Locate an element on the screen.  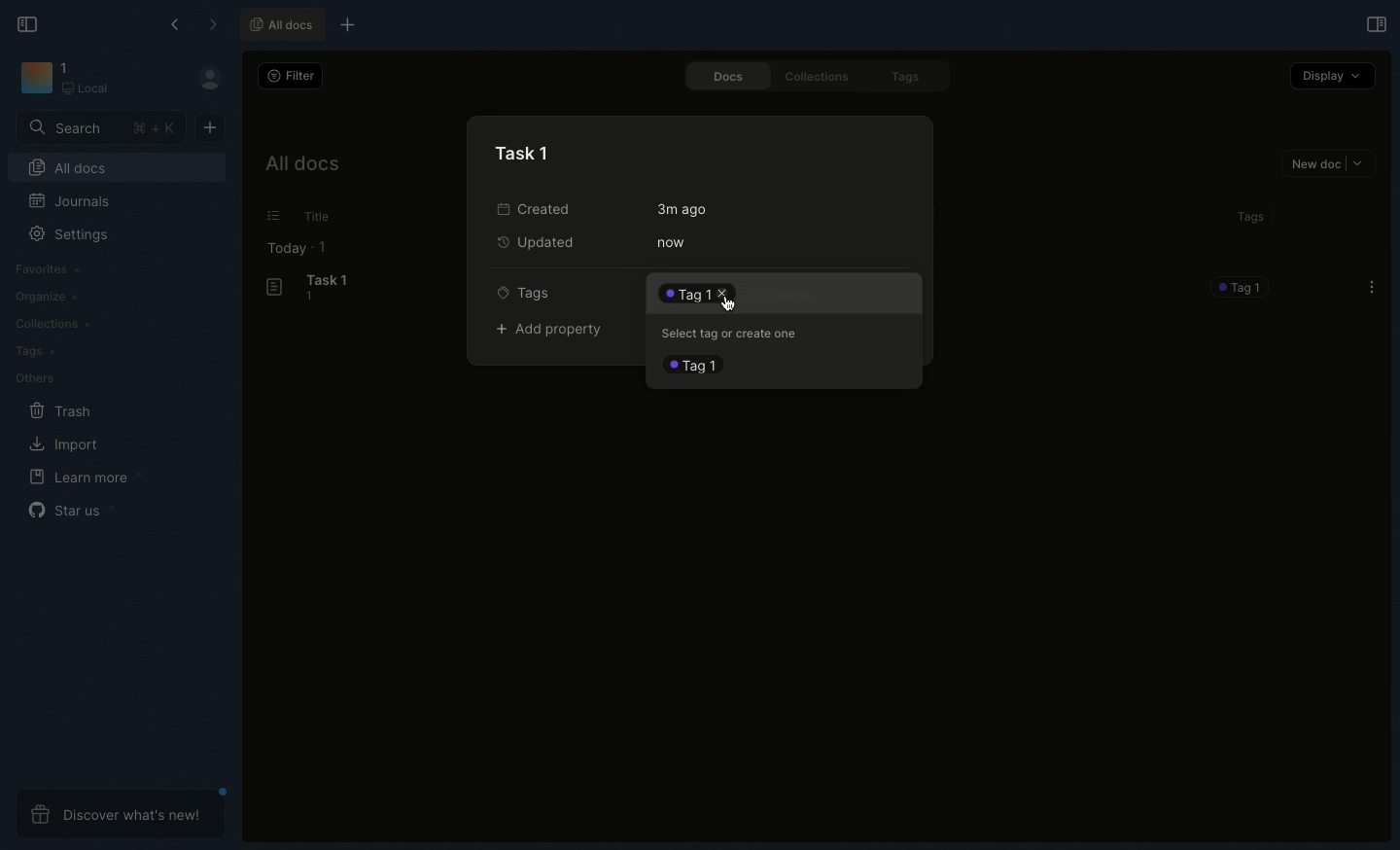
Journals is located at coordinates (65, 199).